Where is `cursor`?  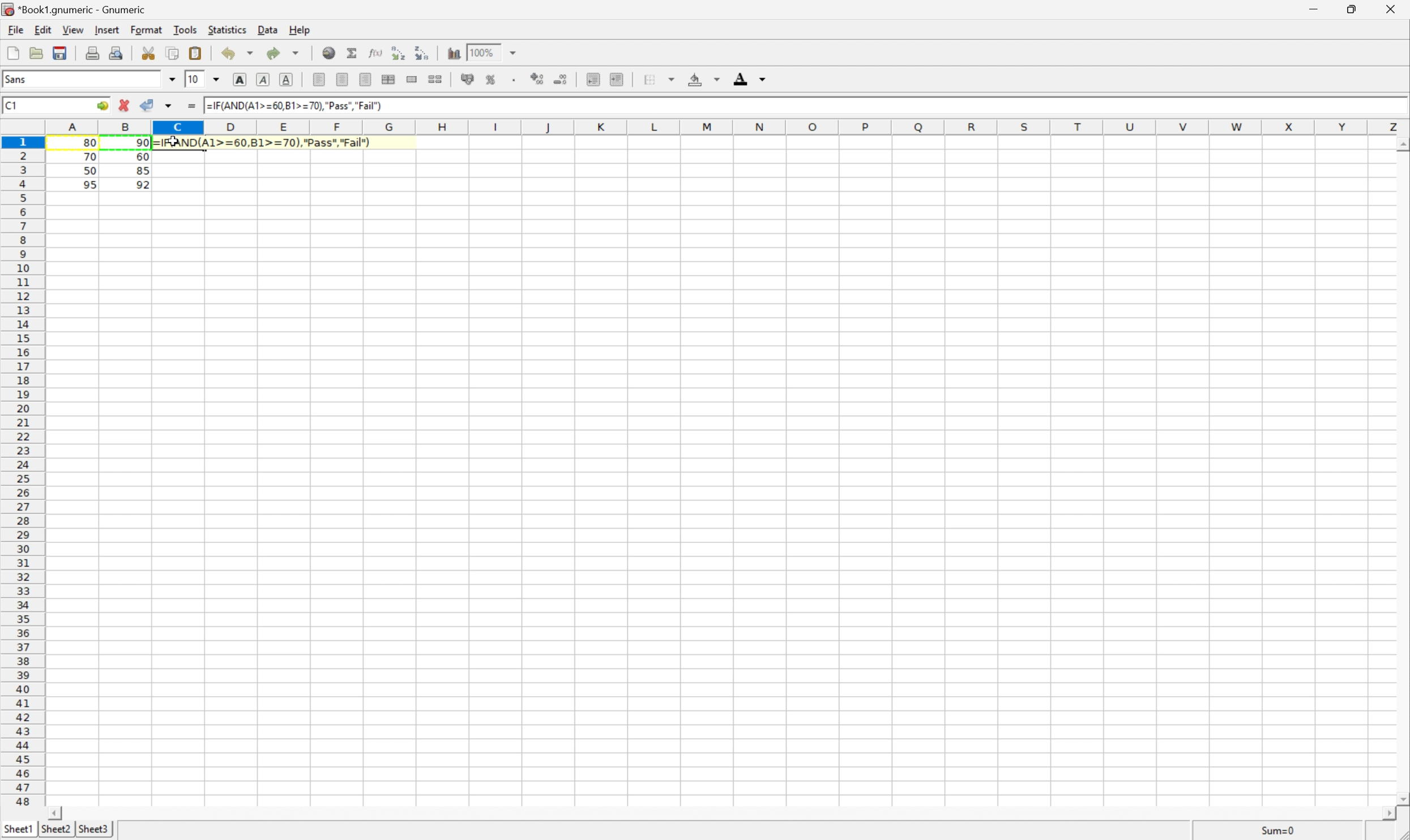
cursor is located at coordinates (174, 142).